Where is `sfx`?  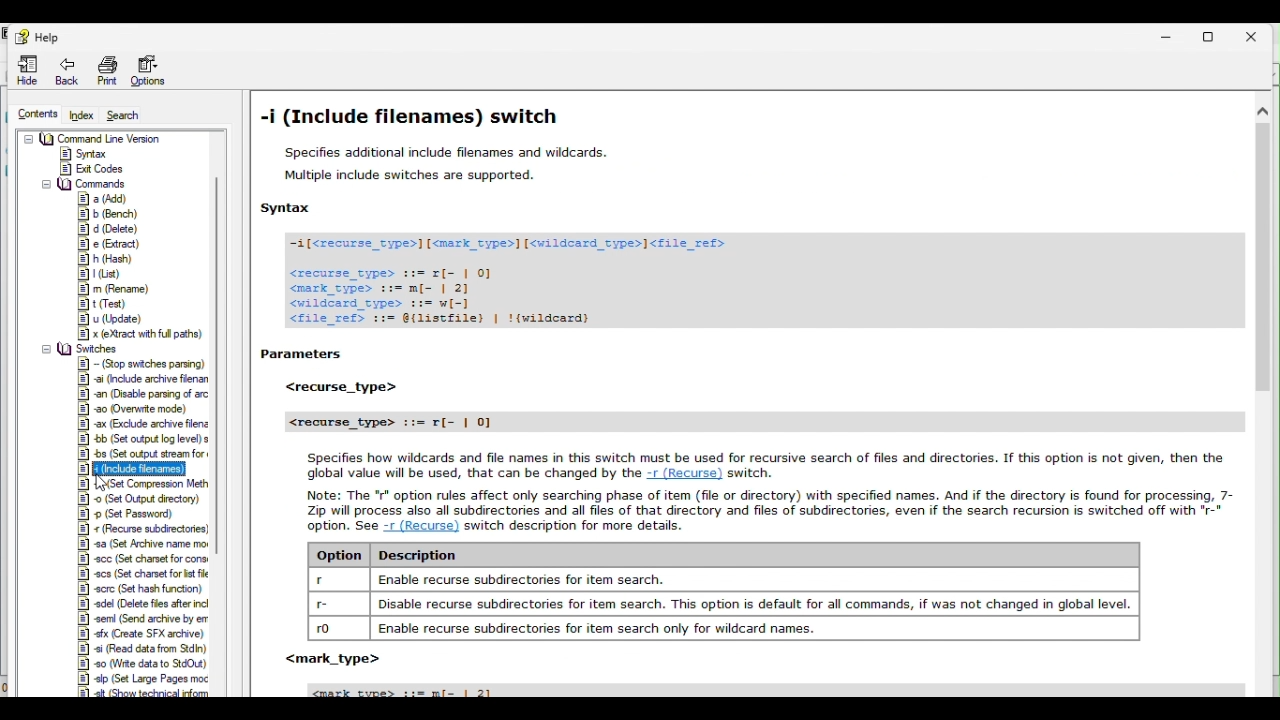
sfx is located at coordinates (143, 635).